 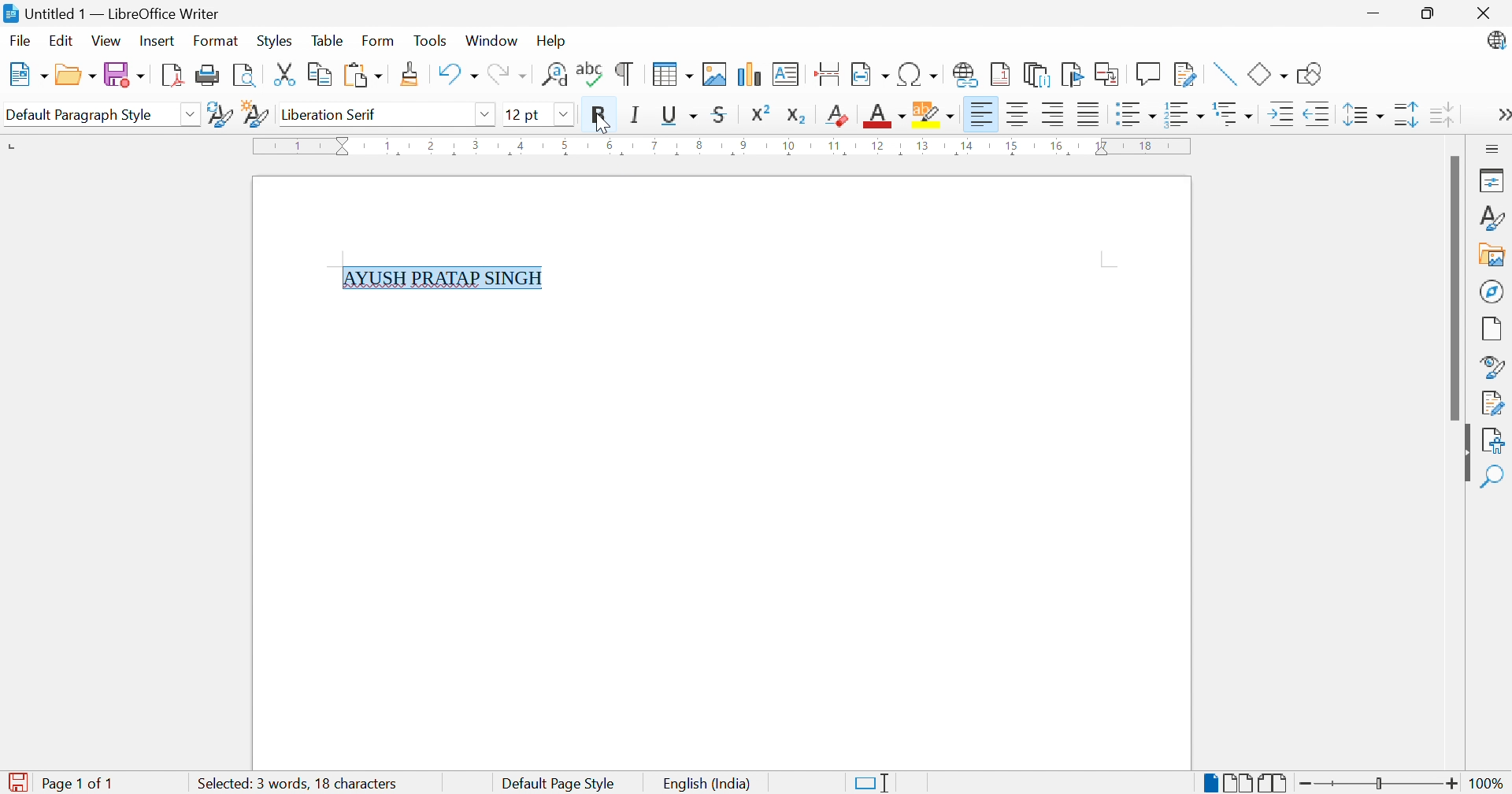 I want to click on Undo, so click(x=457, y=74).